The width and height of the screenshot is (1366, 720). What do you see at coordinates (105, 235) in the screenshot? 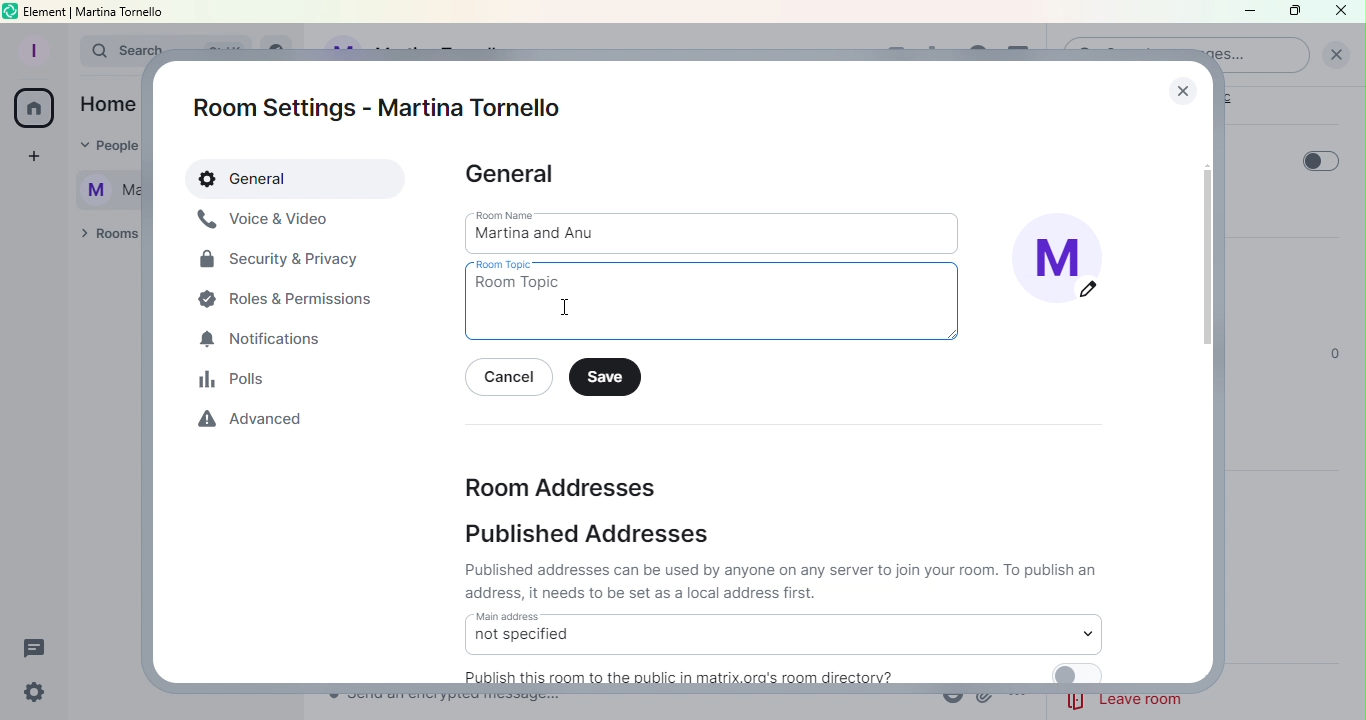
I see `Rooms` at bounding box center [105, 235].